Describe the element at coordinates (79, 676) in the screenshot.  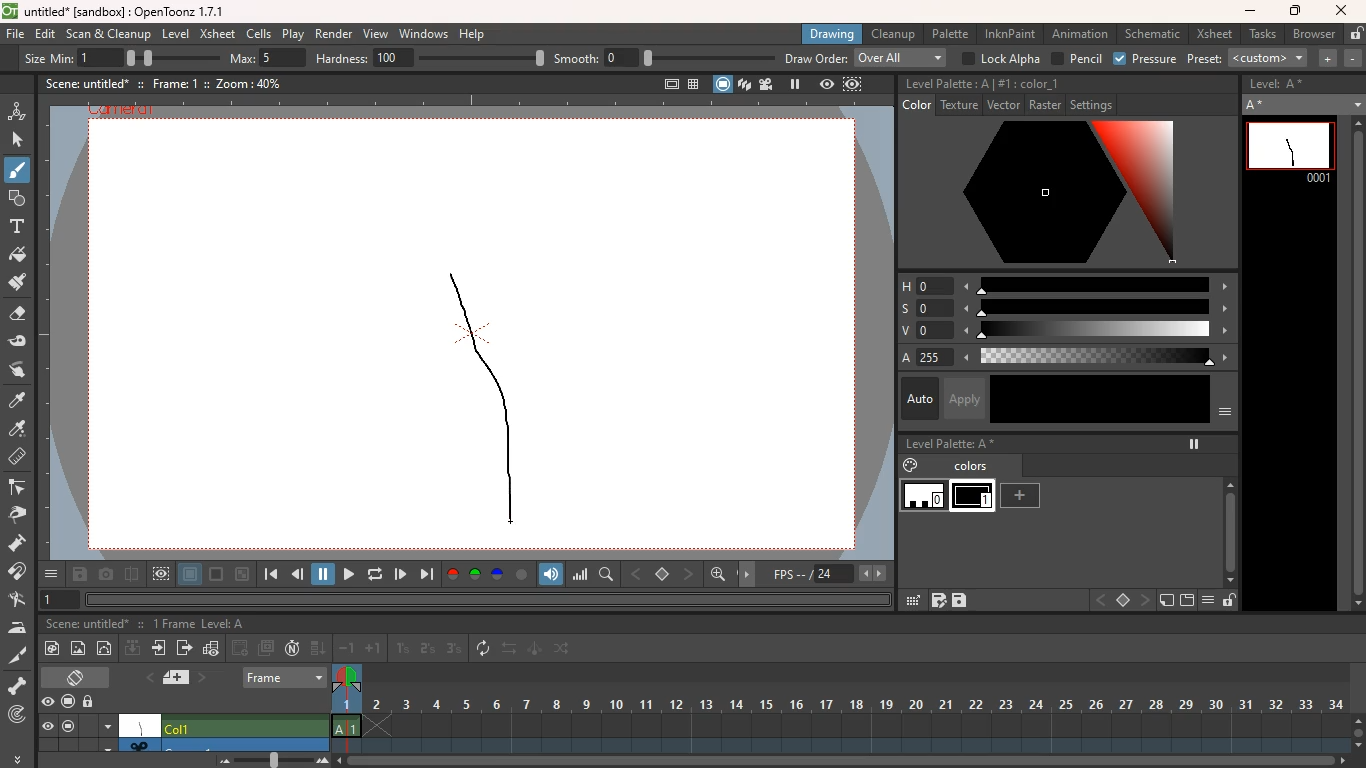
I see `screen` at that location.